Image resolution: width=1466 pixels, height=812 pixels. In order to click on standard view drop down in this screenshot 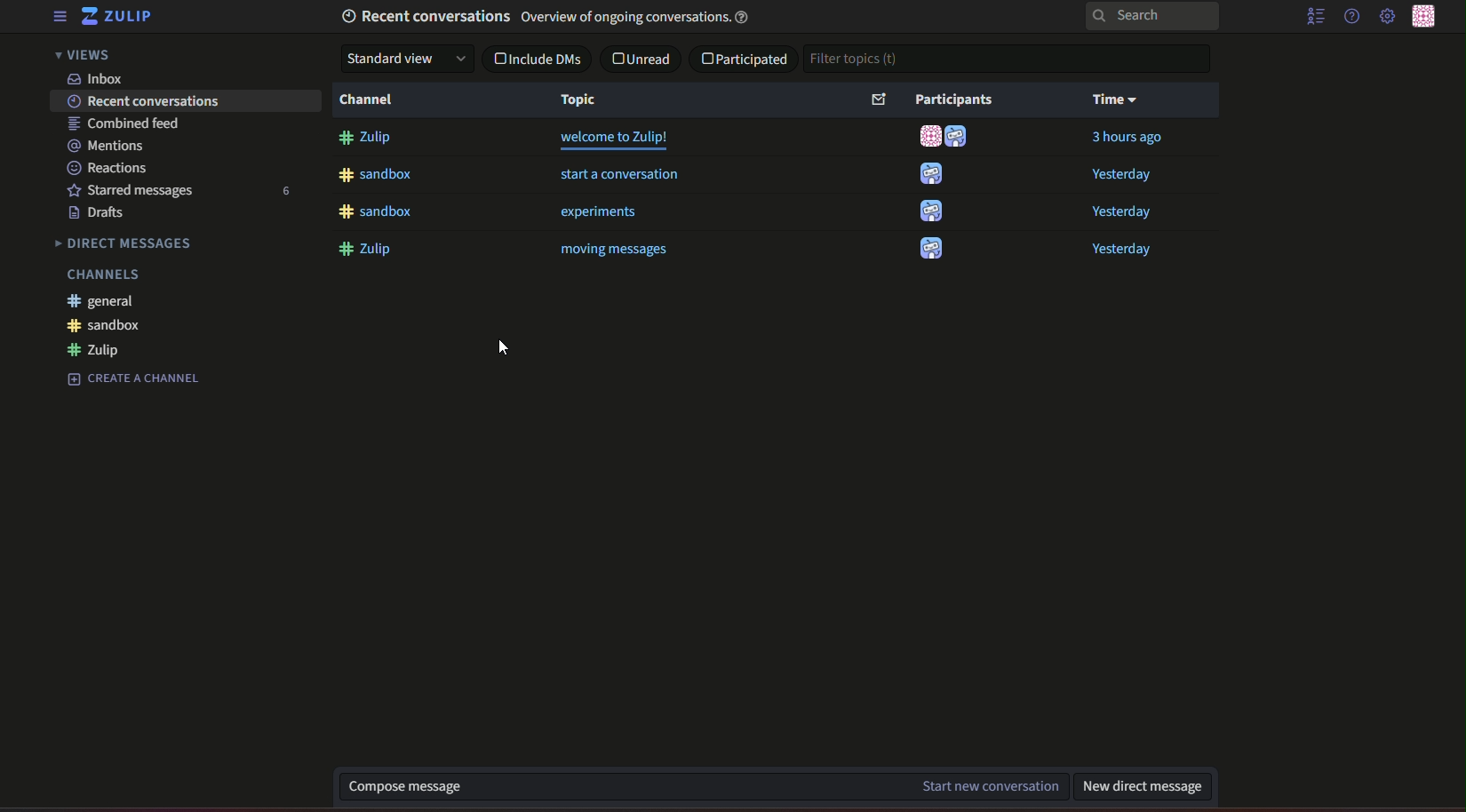, I will do `click(408, 59)`.